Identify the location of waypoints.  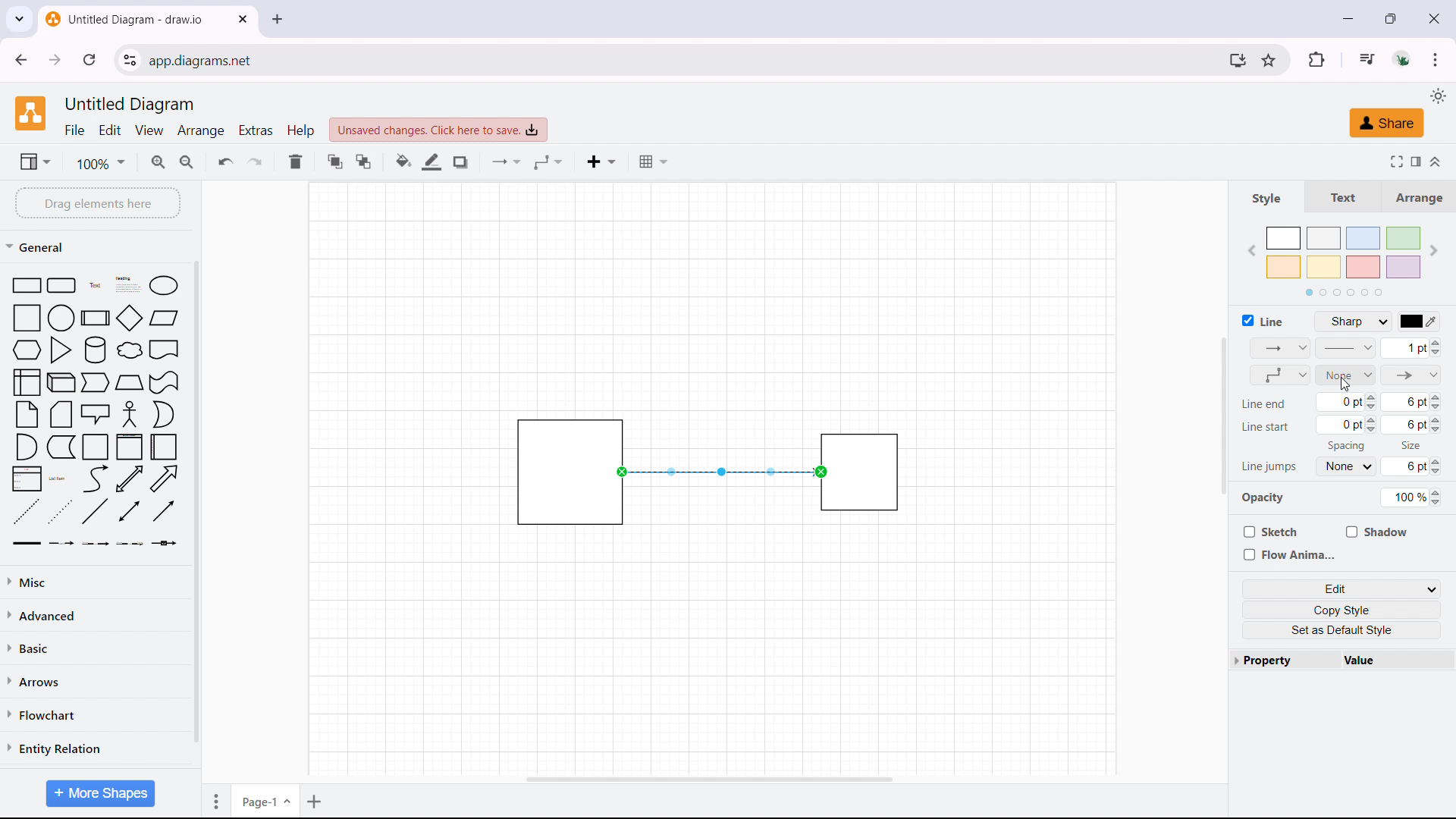
(1279, 375).